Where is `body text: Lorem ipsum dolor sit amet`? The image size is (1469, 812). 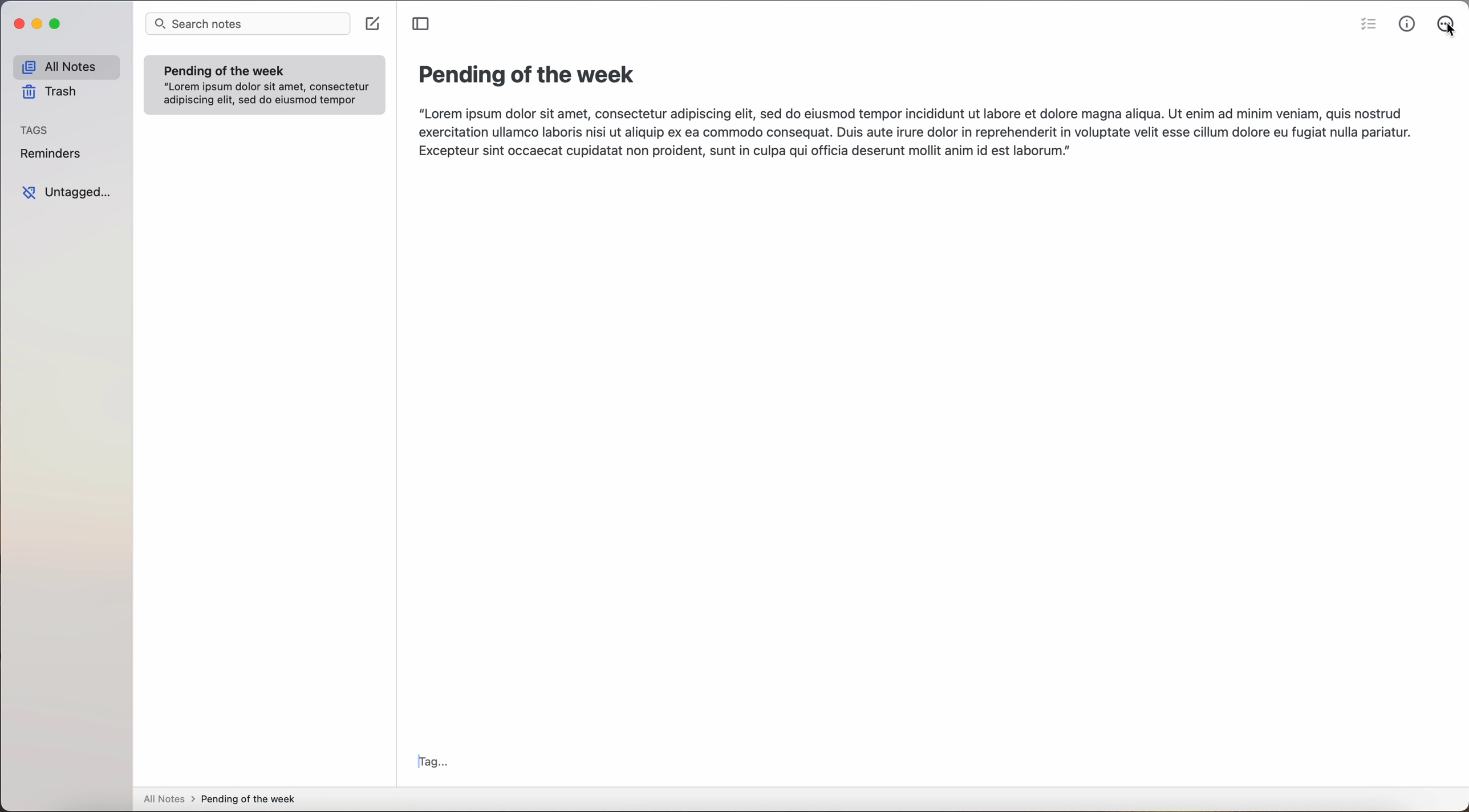 body text: Lorem ipsum dolor sit amet is located at coordinates (912, 132).